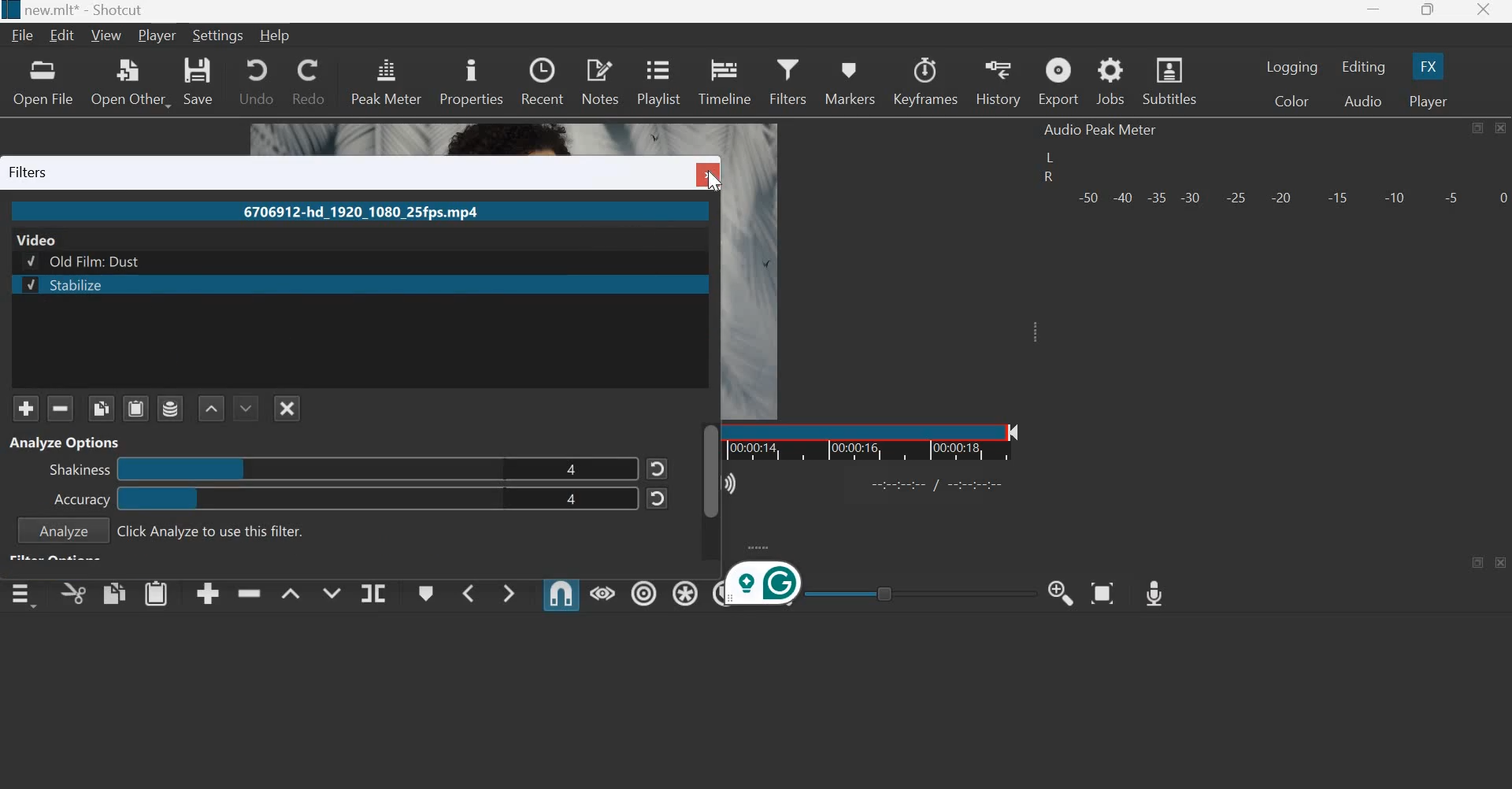  I want to click on deselect the filter, so click(287, 409).